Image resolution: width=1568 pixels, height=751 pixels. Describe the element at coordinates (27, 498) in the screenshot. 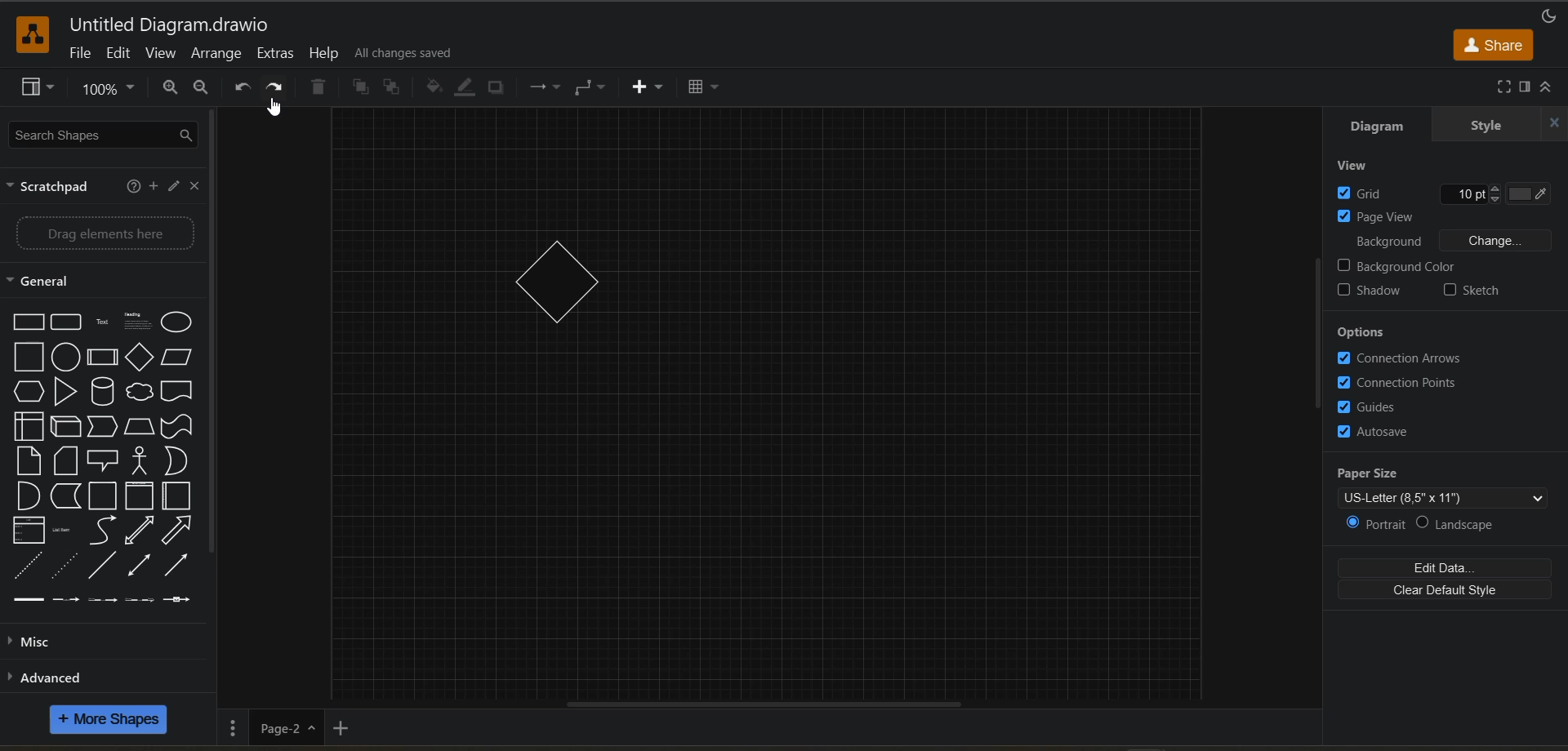

I see `and` at that location.